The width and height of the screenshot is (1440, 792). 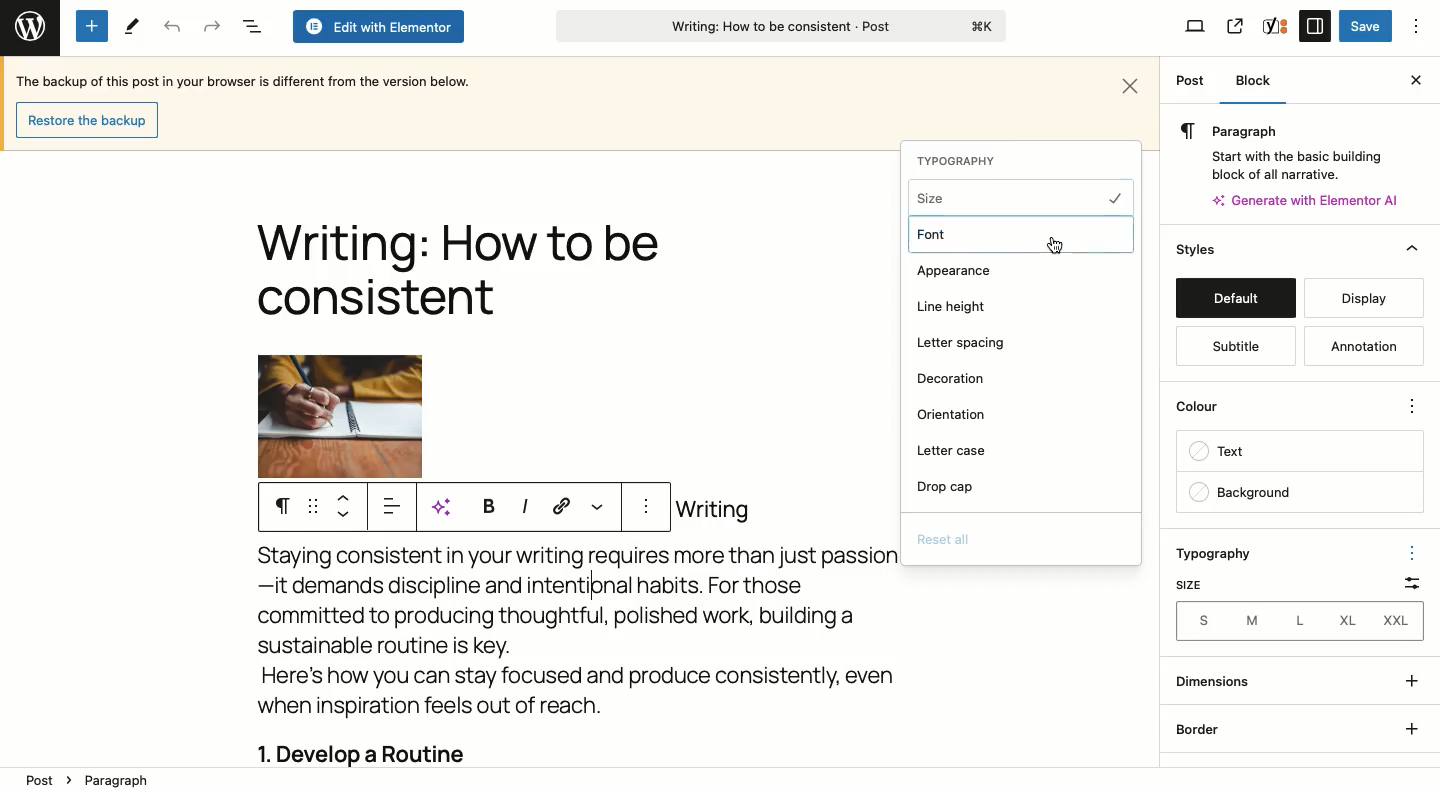 I want to click on Paragraph, so click(x=1285, y=130).